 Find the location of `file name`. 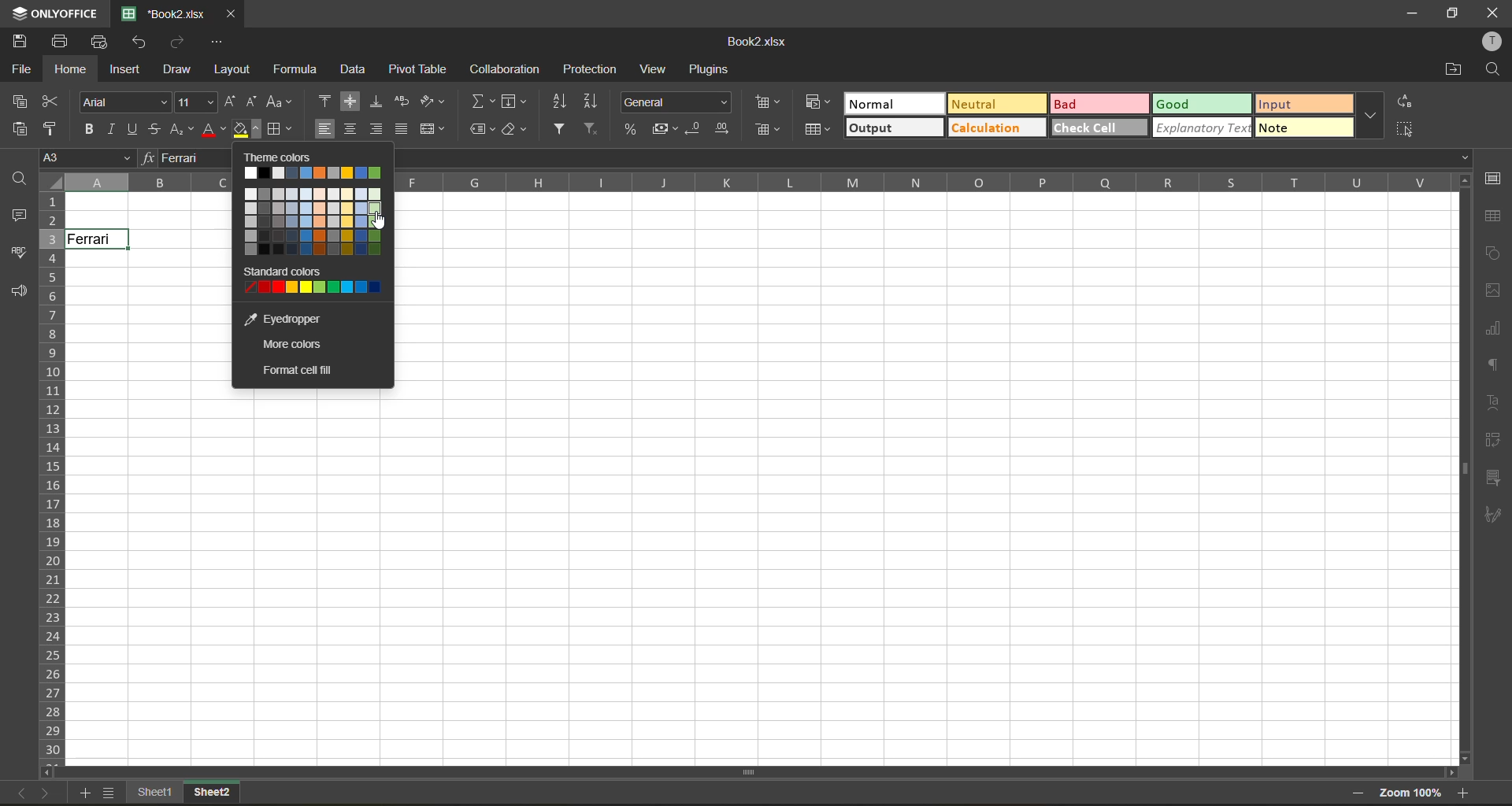

file name is located at coordinates (756, 39).